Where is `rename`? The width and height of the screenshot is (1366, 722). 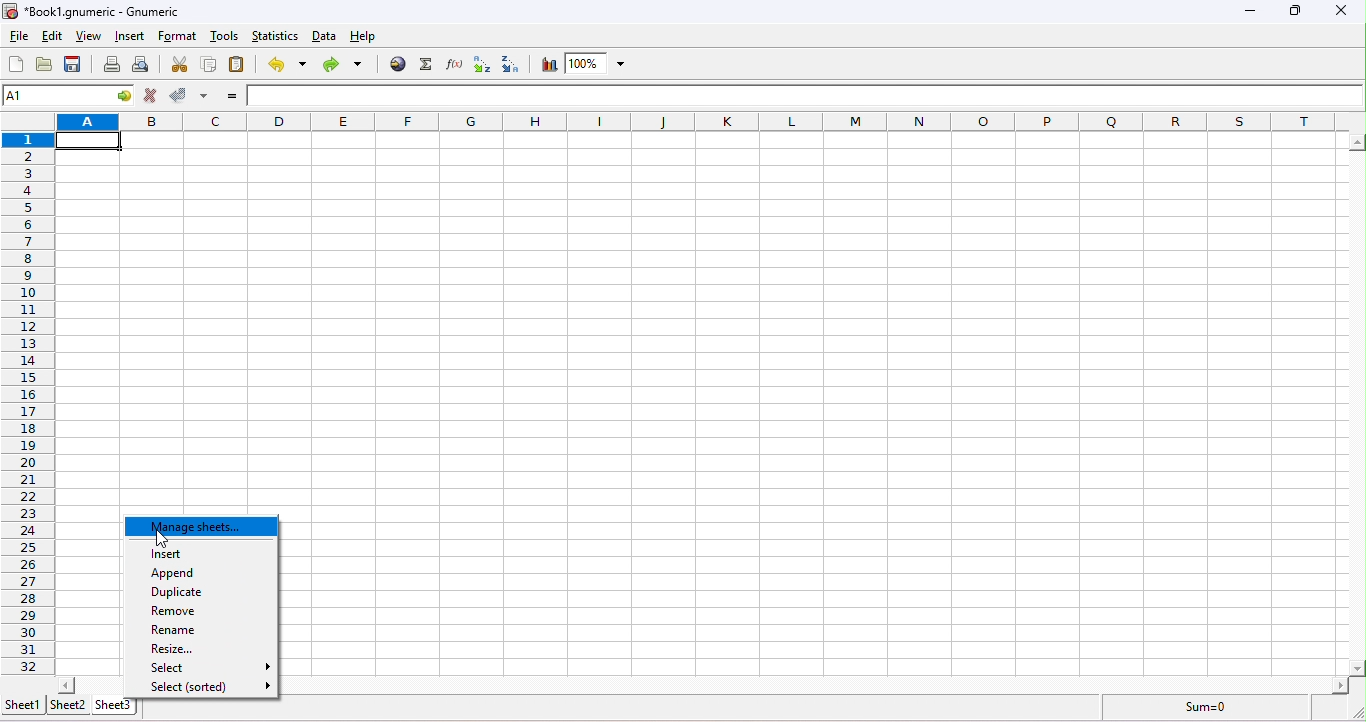 rename is located at coordinates (196, 630).